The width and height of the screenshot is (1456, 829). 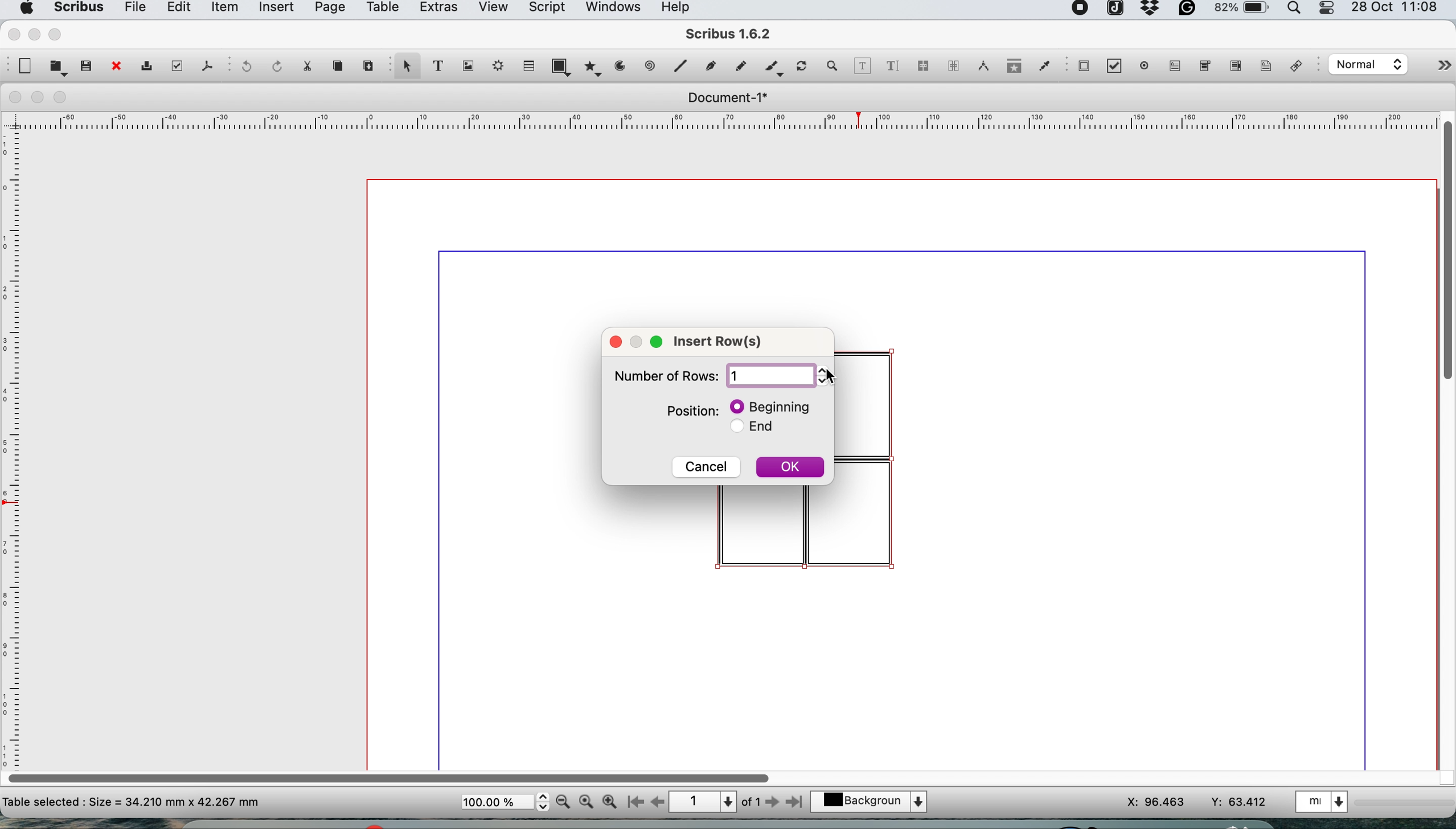 I want to click on horizontal scale, so click(x=729, y=124).